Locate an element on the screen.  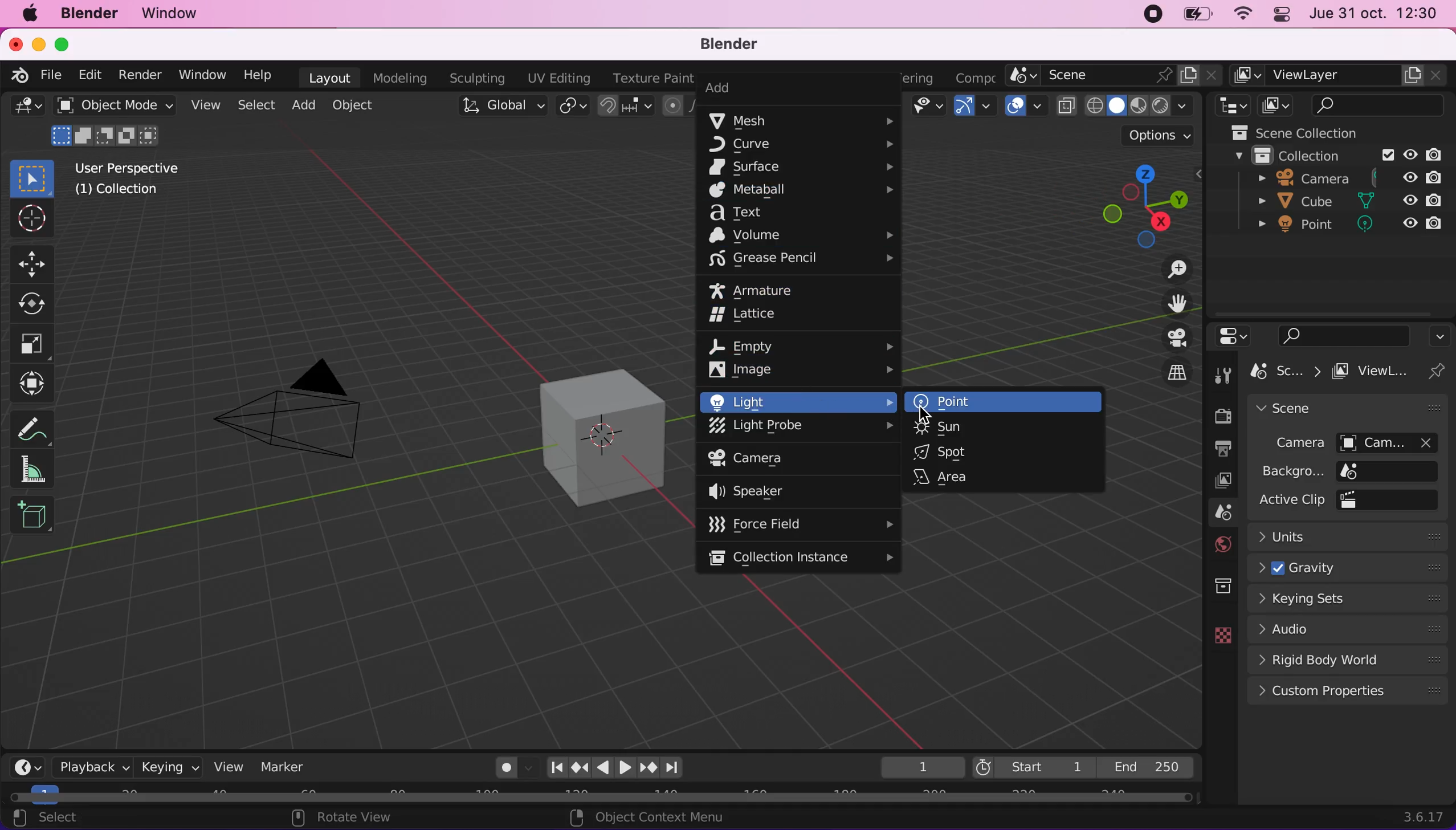
jue 31 oct 12:30 is located at coordinates (1373, 14).